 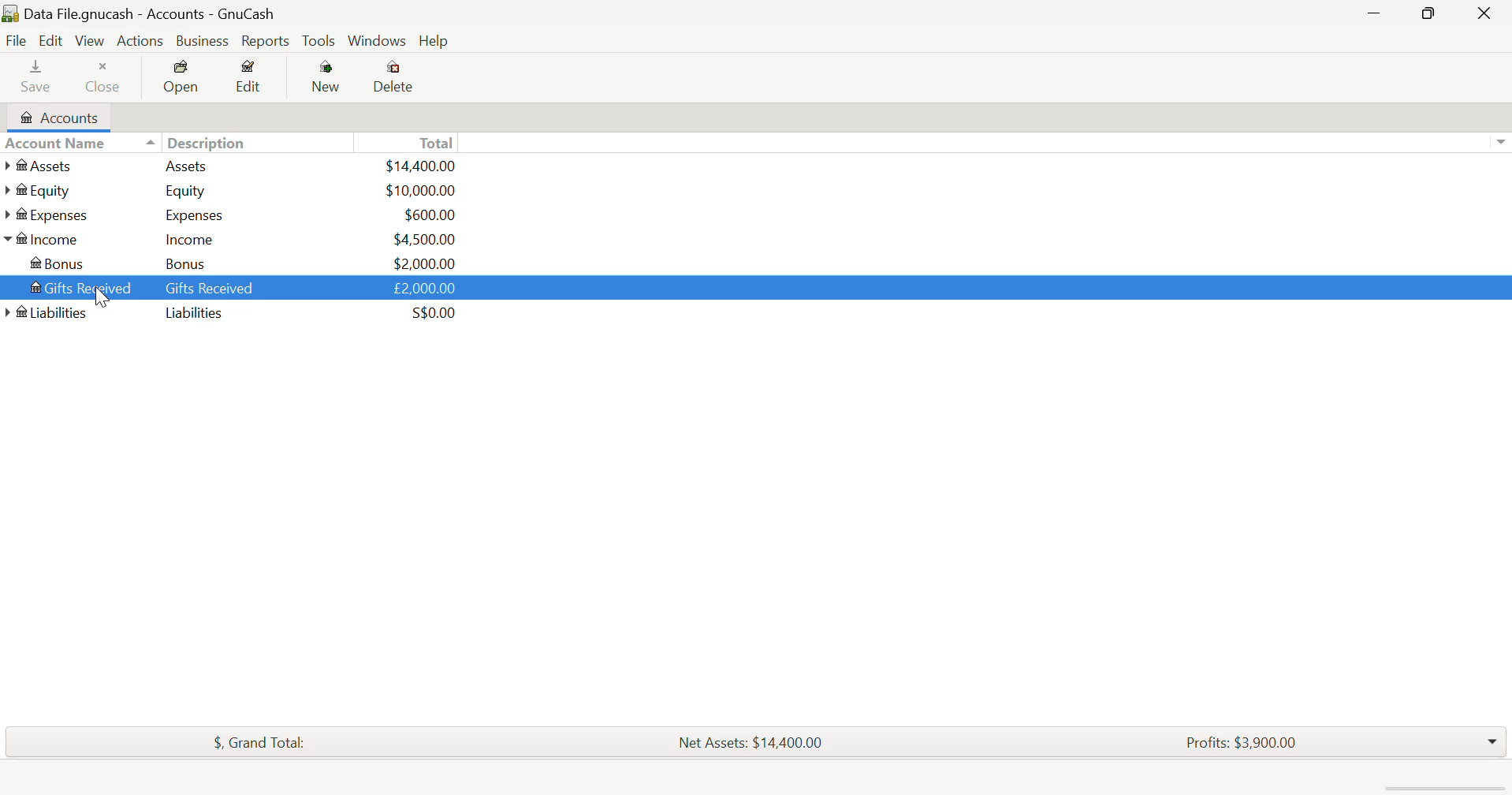 What do you see at coordinates (210, 289) in the screenshot?
I see `Gifts Received` at bounding box center [210, 289].